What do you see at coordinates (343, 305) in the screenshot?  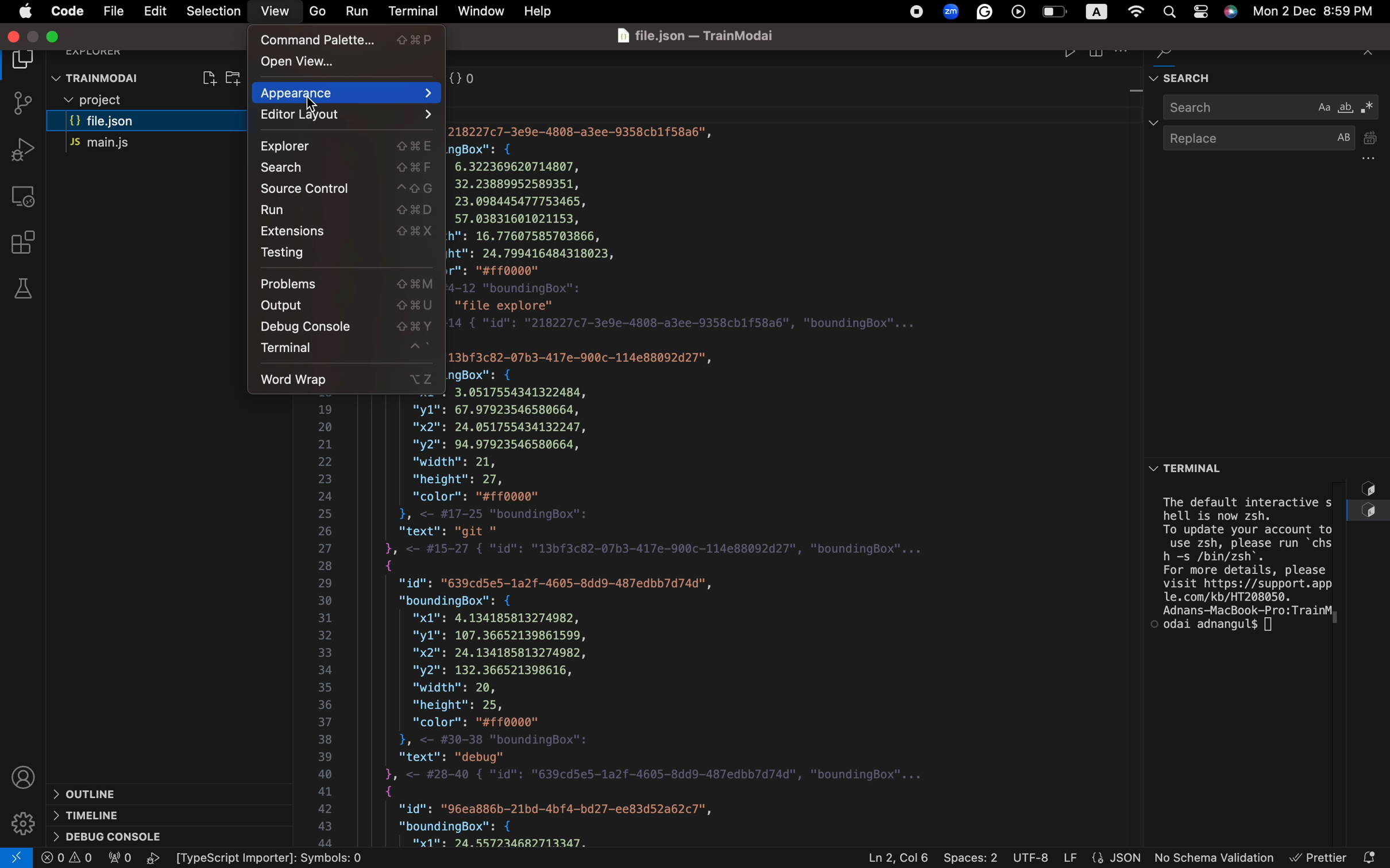 I see `` at bounding box center [343, 305].